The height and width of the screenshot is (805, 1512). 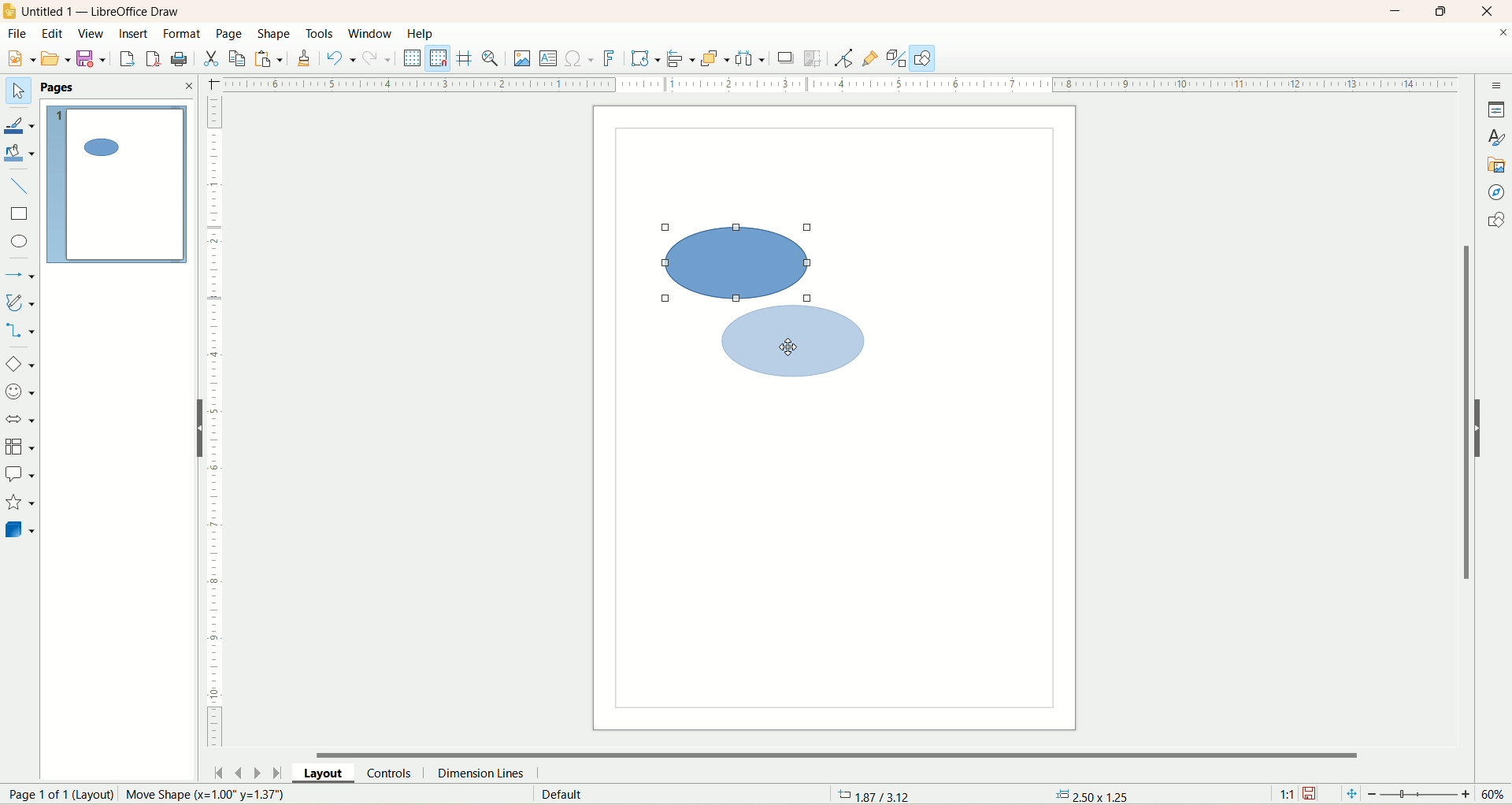 What do you see at coordinates (19, 421) in the screenshot?
I see `block arrow` at bounding box center [19, 421].